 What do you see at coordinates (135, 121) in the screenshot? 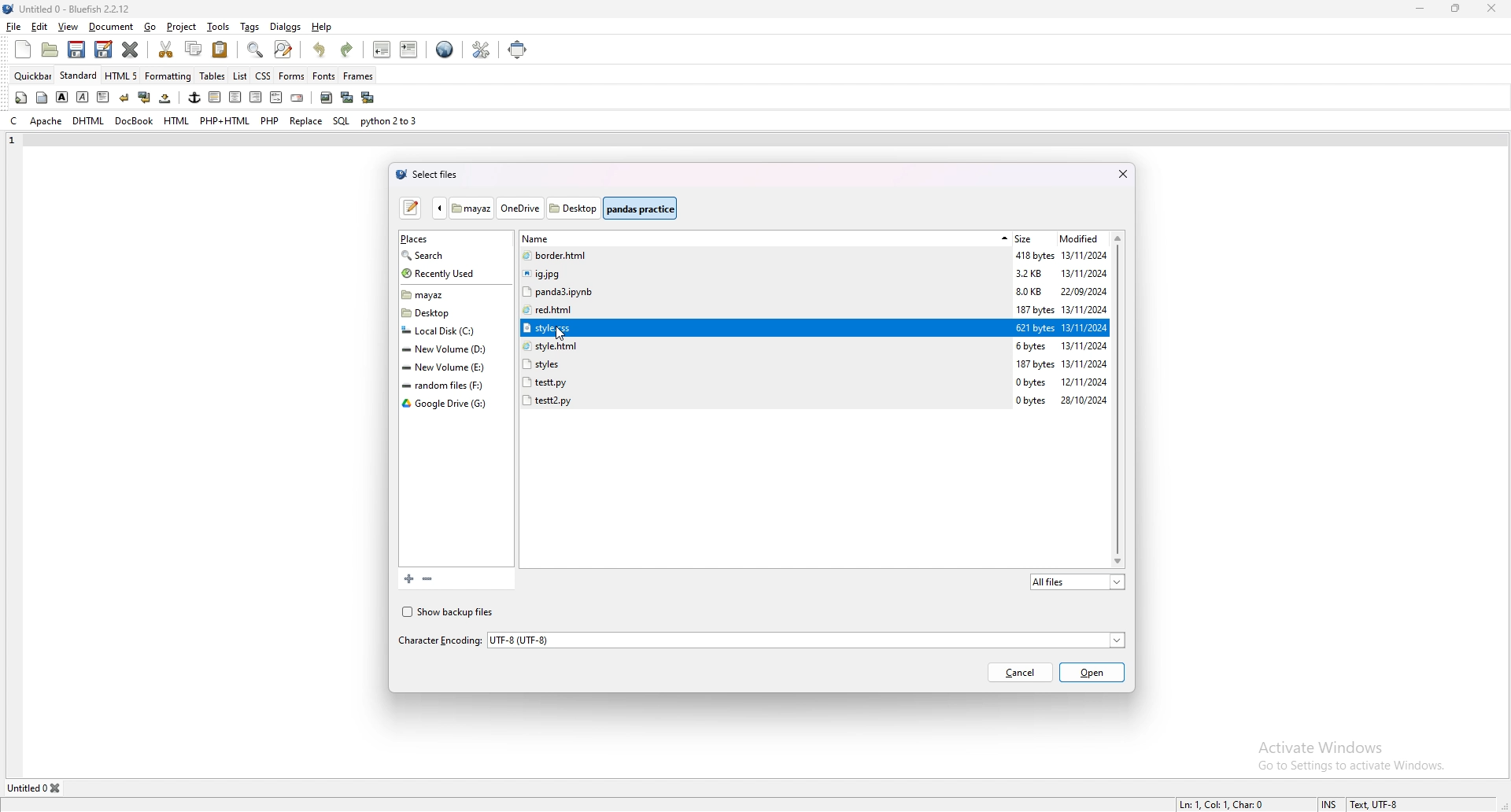
I see `docbook` at bounding box center [135, 121].